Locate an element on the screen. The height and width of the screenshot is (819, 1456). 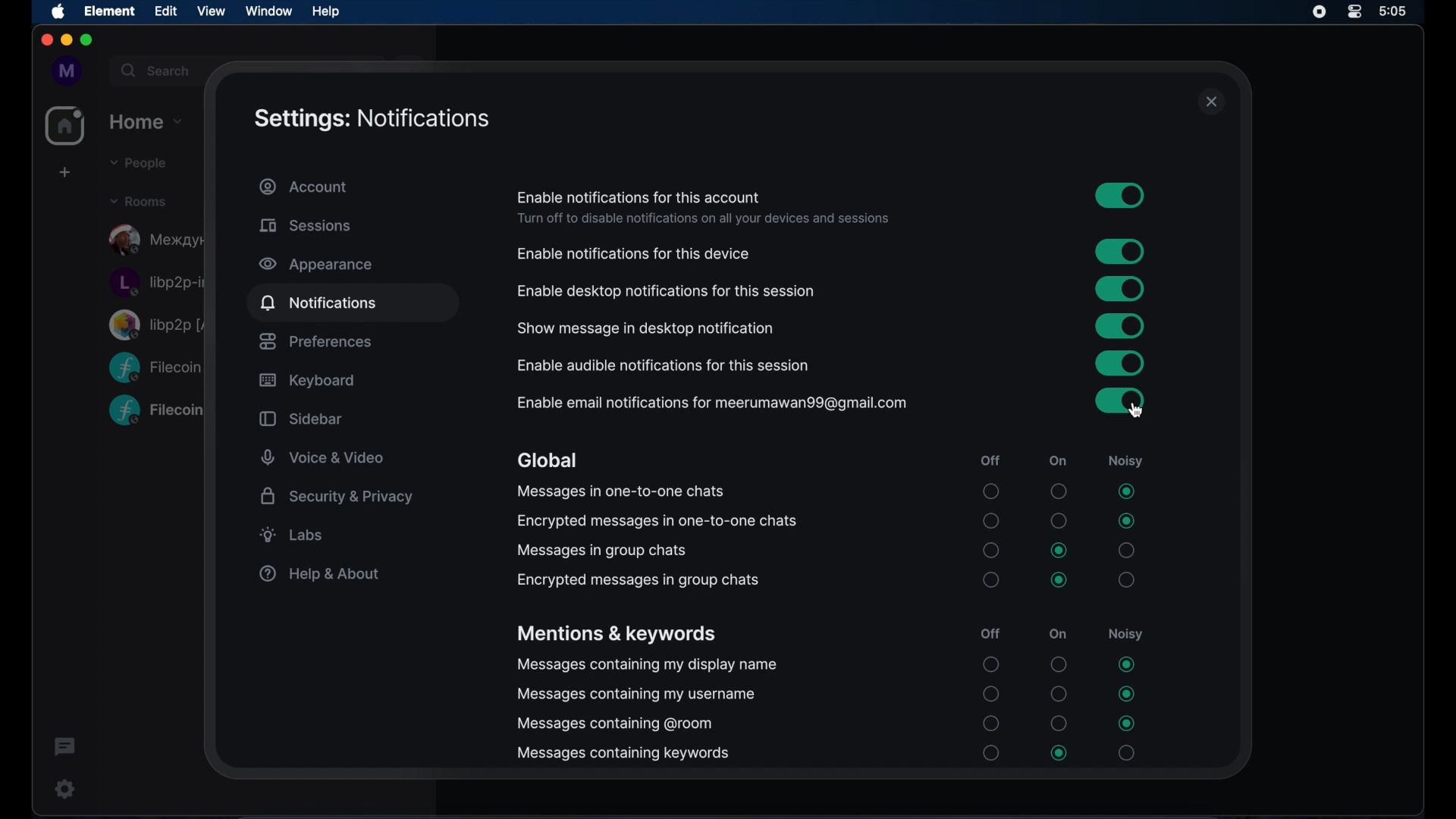
messages containing keywords is located at coordinates (623, 754).